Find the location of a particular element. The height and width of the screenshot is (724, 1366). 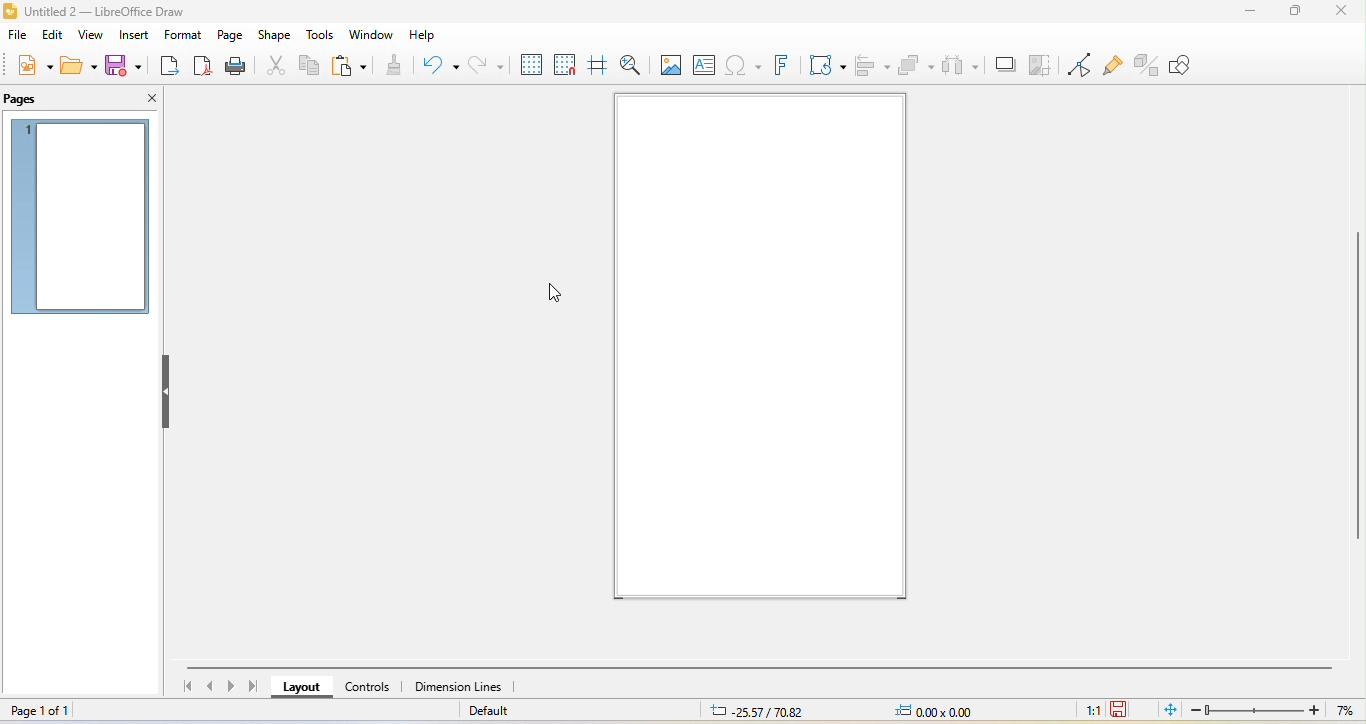

print is located at coordinates (234, 67).